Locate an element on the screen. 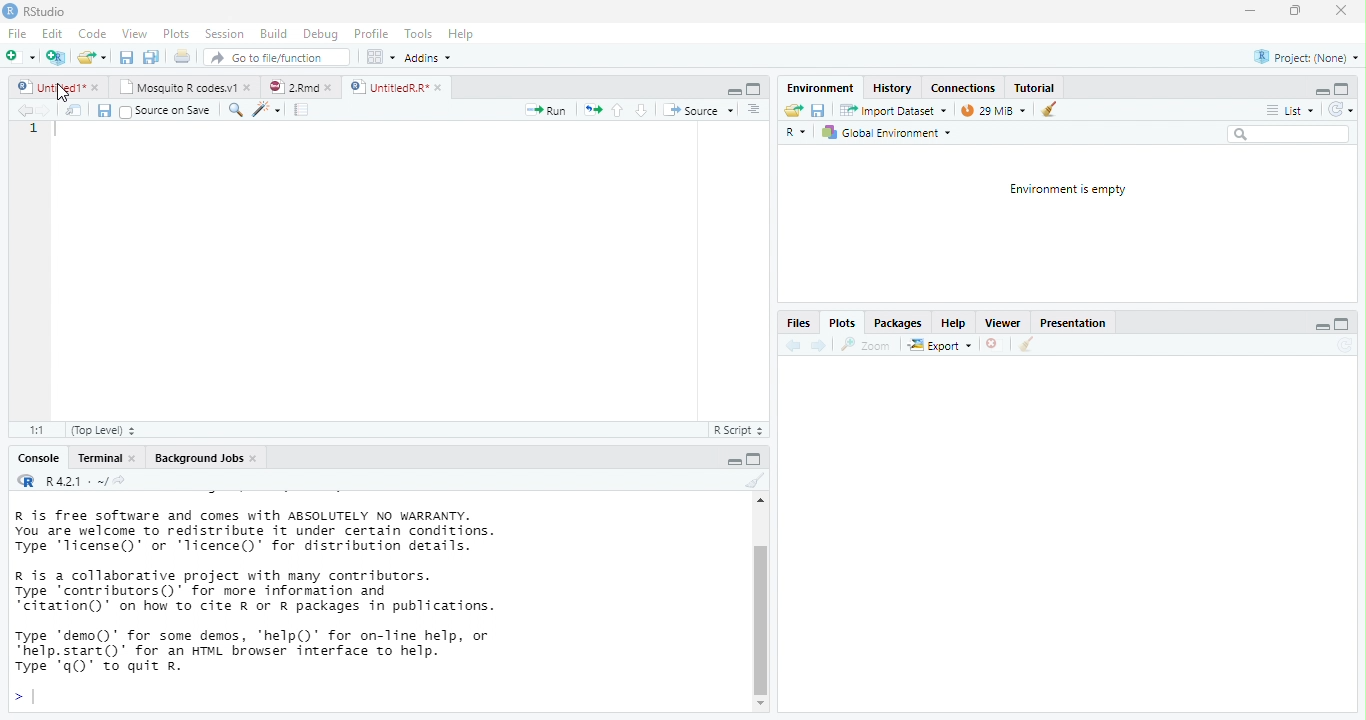  search is located at coordinates (233, 110).